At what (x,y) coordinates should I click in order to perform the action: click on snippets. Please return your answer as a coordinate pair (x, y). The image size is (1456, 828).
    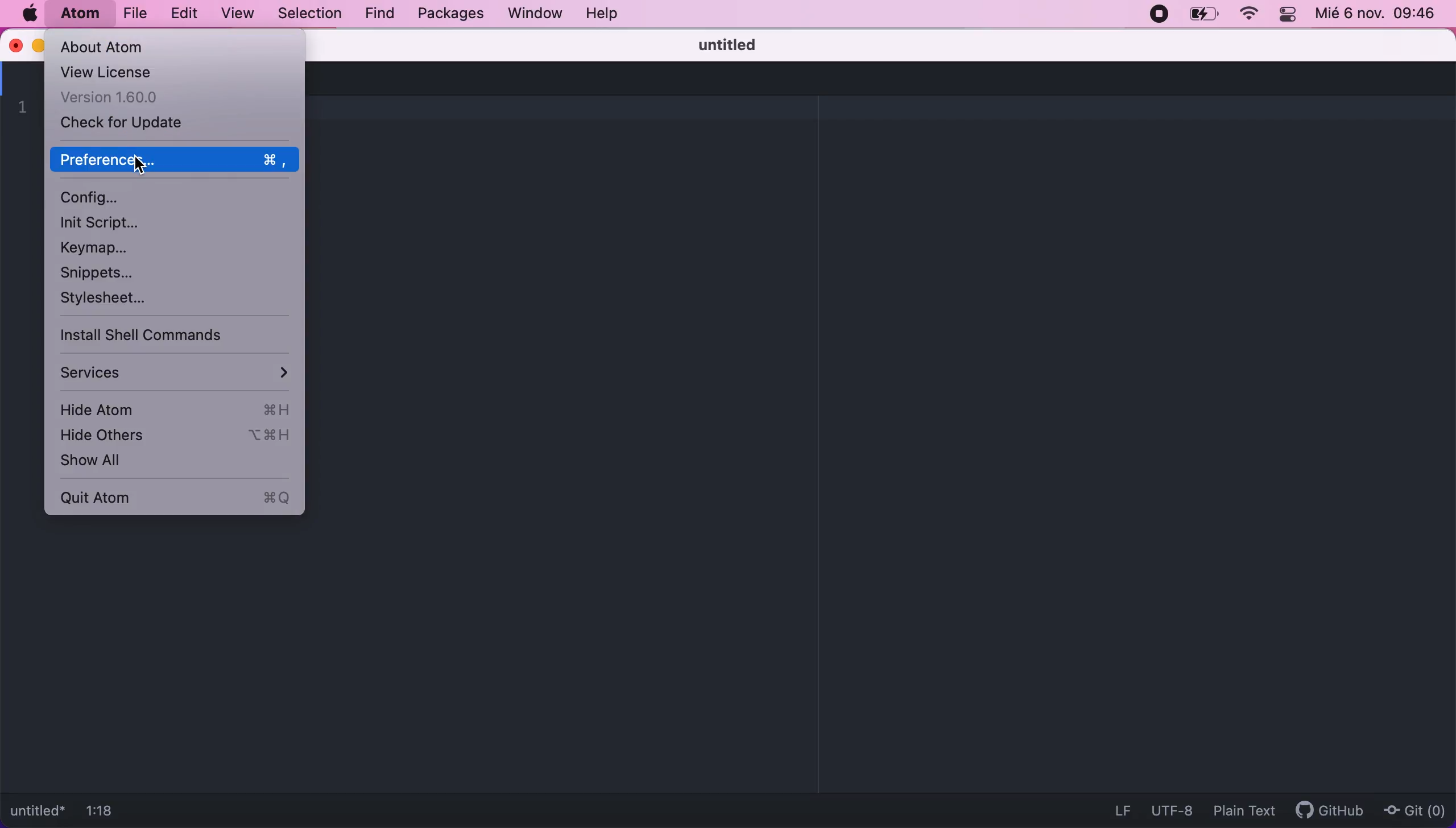
    Looking at the image, I should click on (111, 271).